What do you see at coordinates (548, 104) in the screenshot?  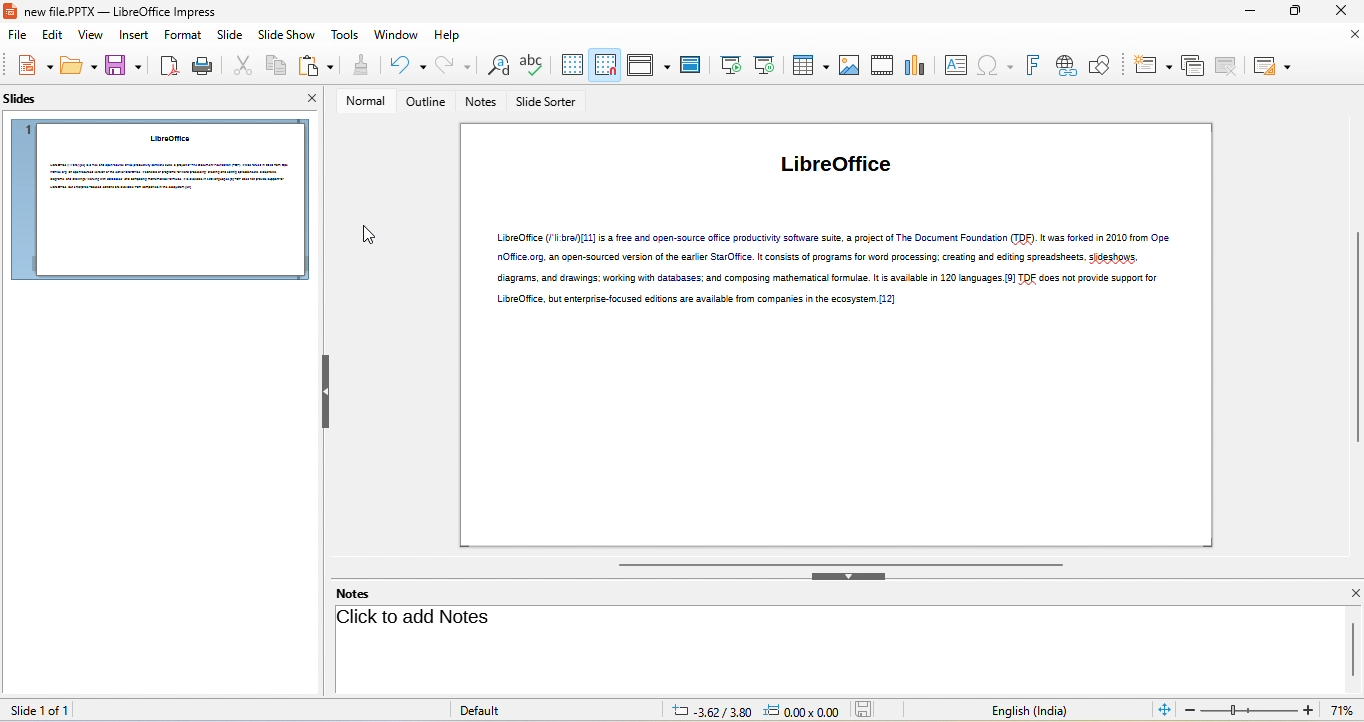 I see `slide sorter` at bounding box center [548, 104].